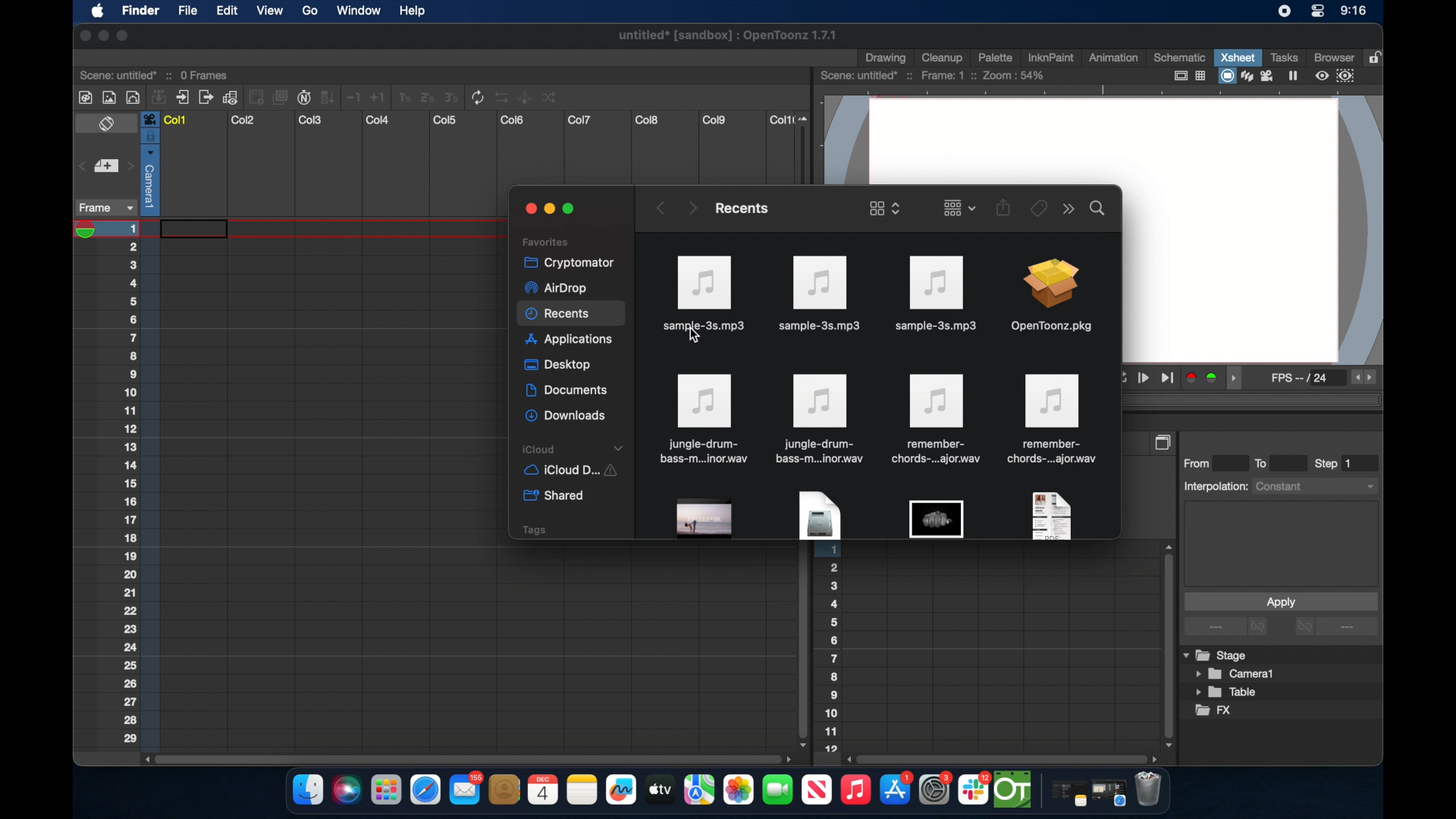  What do you see at coordinates (102, 36) in the screenshot?
I see `minimize` at bounding box center [102, 36].